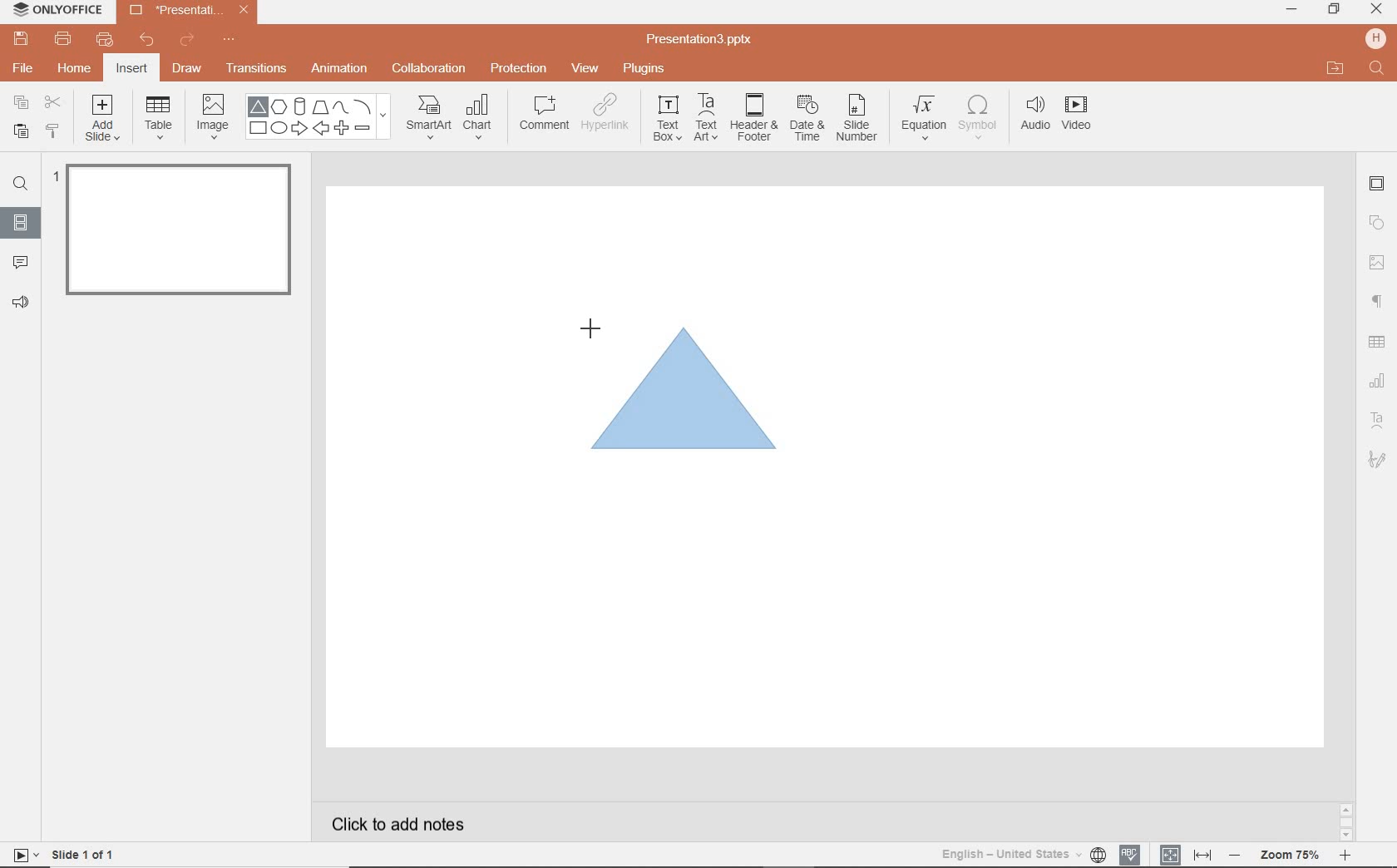  What do you see at coordinates (20, 261) in the screenshot?
I see `COMMENTS` at bounding box center [20, 261].